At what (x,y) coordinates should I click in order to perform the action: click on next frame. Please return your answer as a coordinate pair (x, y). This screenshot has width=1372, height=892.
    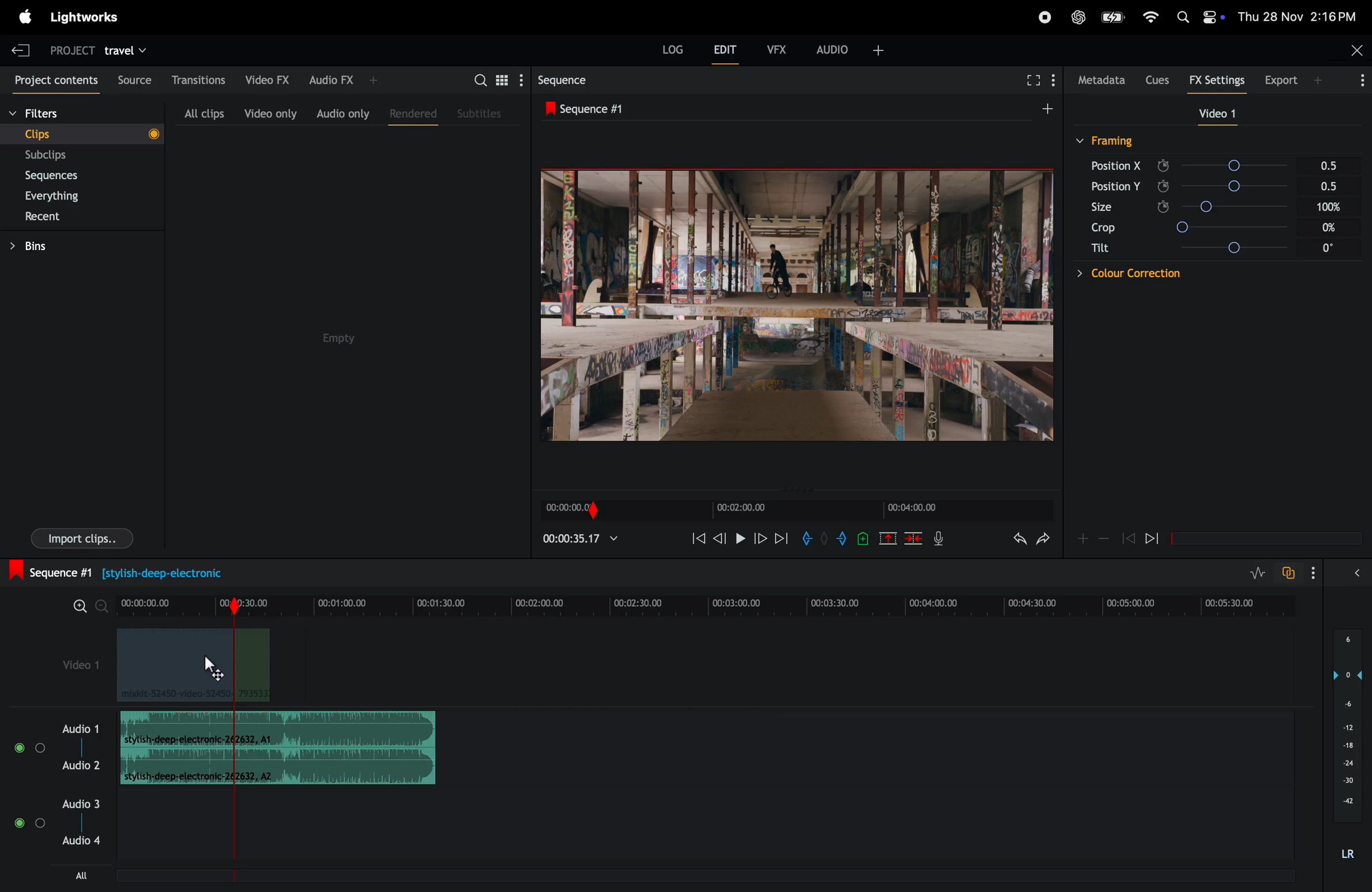
    Looking at the image, I should click on (759, 538).